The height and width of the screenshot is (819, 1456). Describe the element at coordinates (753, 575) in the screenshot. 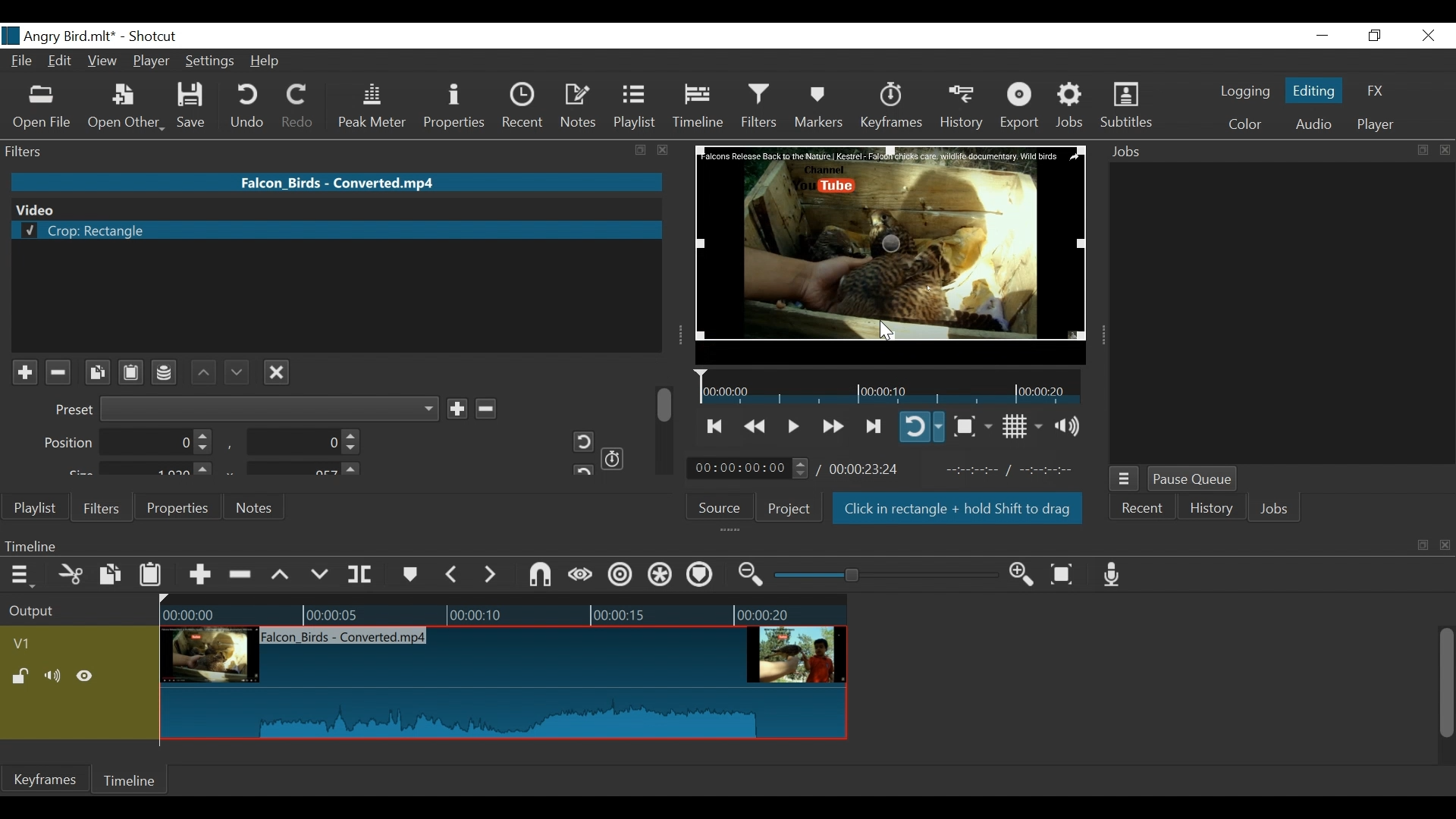

I see `Zoom timeline out` at that location.